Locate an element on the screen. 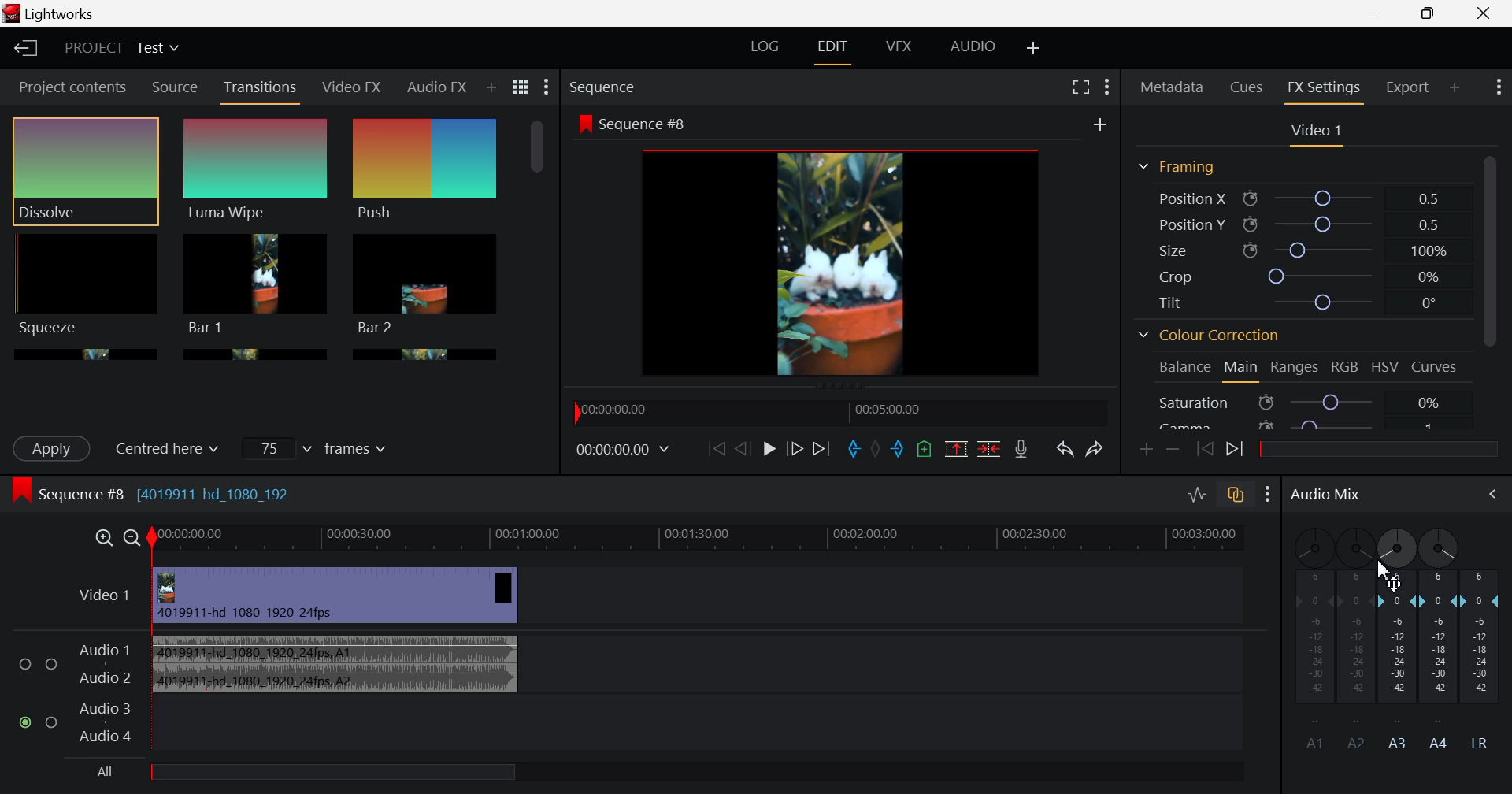  RGB is located at coordinates (1347, 367).